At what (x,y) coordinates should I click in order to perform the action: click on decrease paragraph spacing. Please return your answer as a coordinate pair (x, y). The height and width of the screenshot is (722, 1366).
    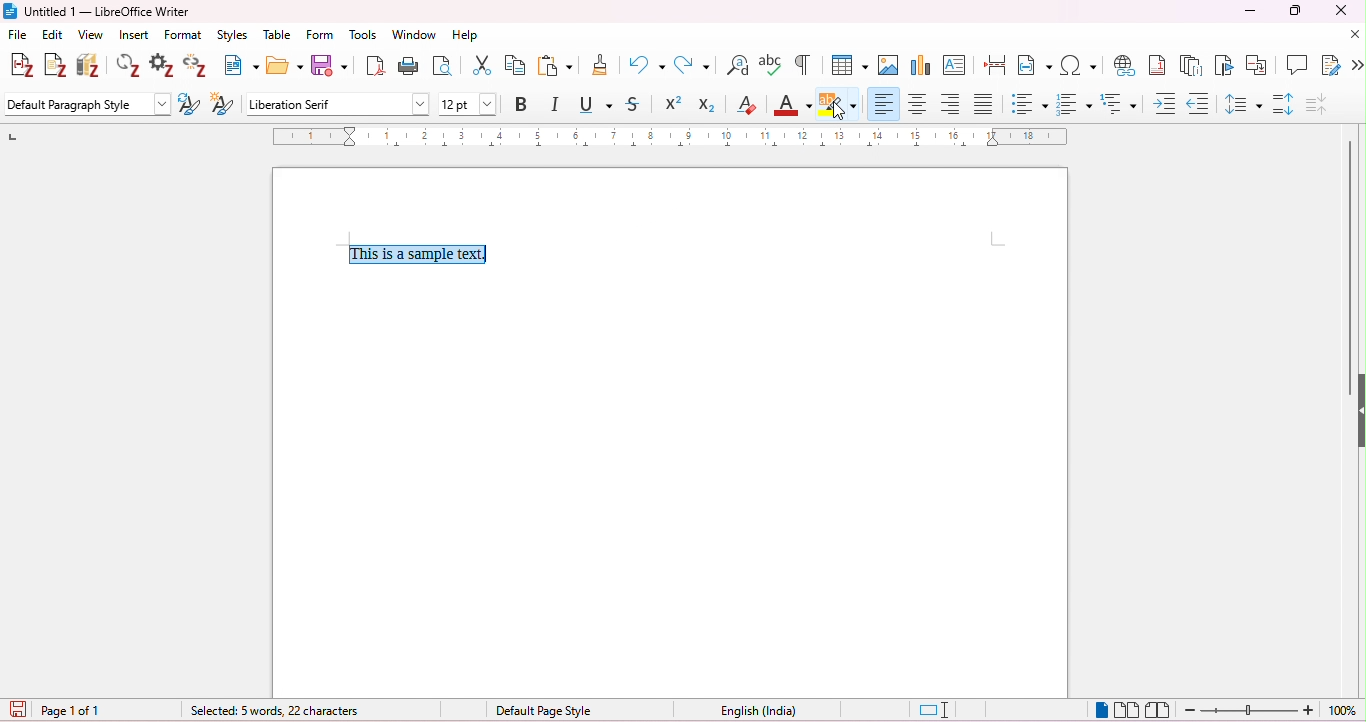
    Looking at the image, I should click on (1316, 104).